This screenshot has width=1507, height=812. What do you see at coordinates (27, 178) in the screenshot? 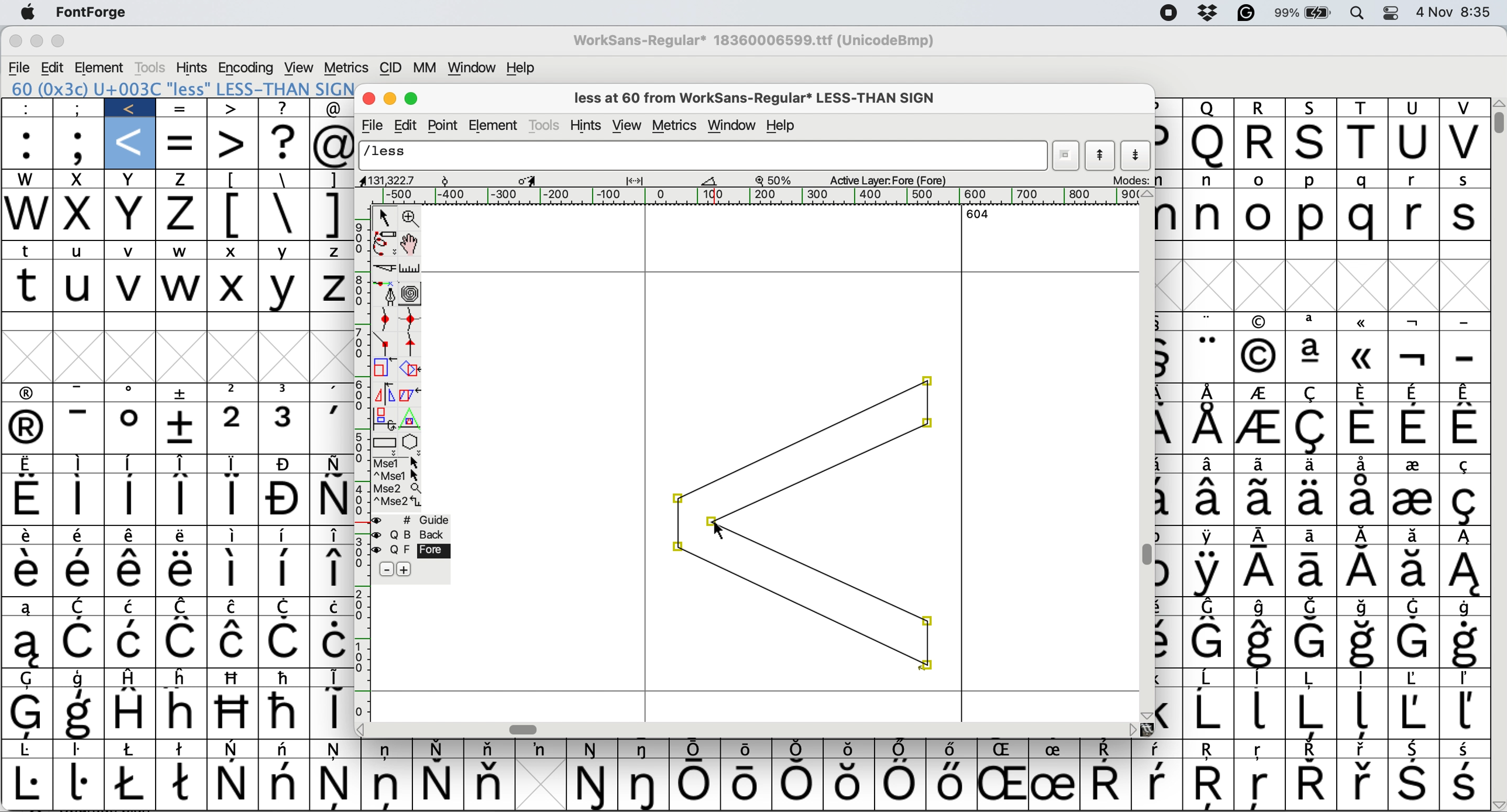
I see `w` at bounding box center [27, 178].